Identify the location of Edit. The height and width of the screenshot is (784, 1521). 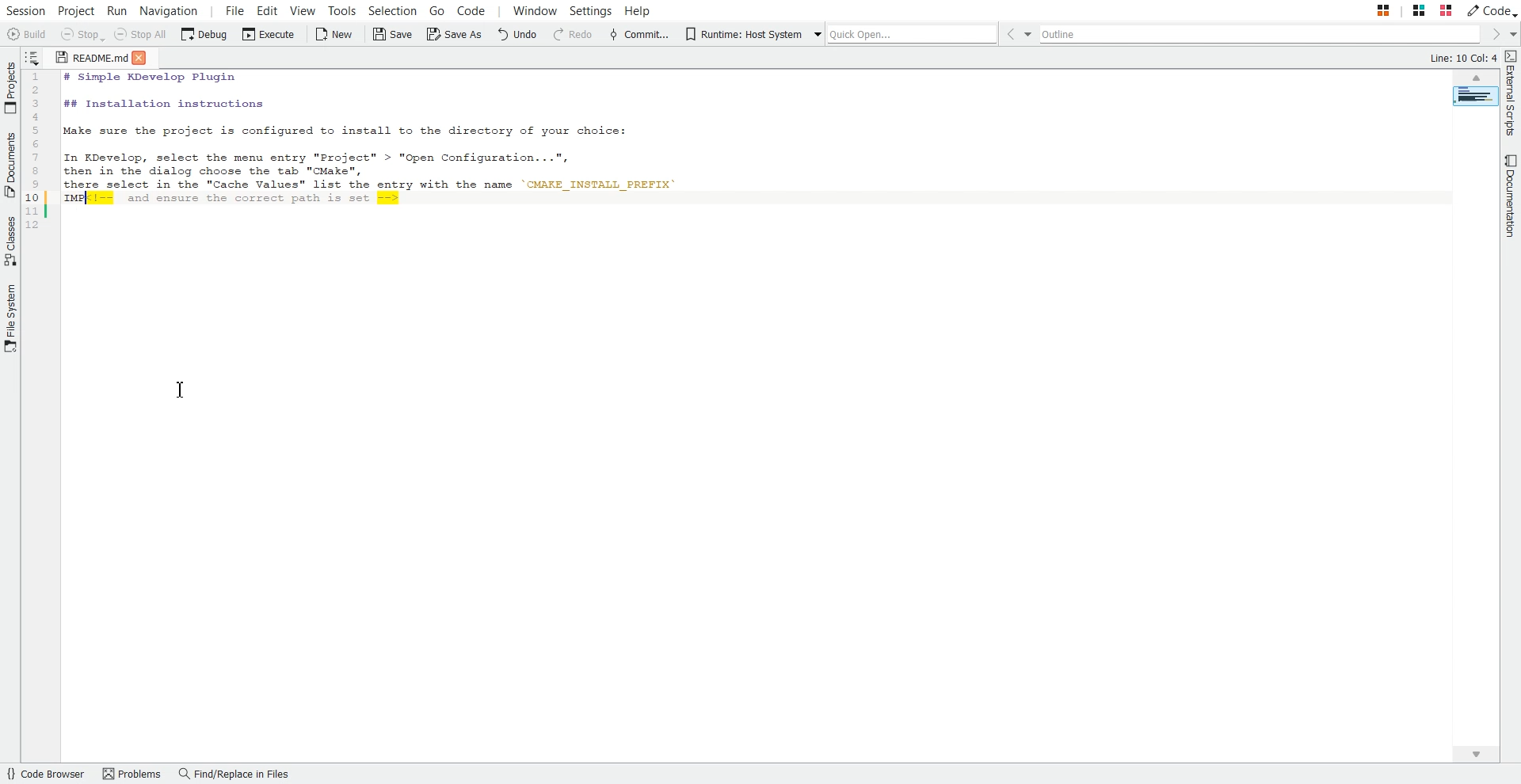
(268, 10).